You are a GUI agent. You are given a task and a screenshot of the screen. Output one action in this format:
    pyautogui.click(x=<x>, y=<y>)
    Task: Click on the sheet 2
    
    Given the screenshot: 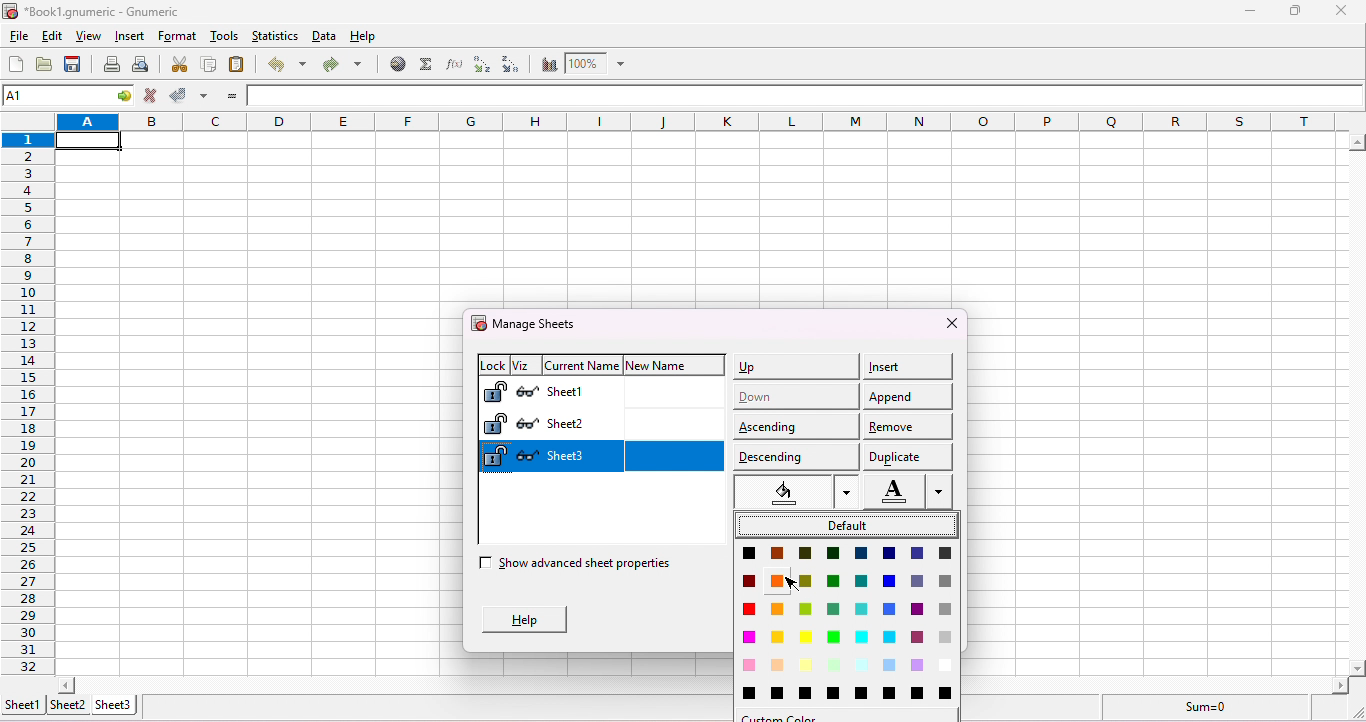 What is the action you would take?
    pyautogui.click(x=634, y=424)
    